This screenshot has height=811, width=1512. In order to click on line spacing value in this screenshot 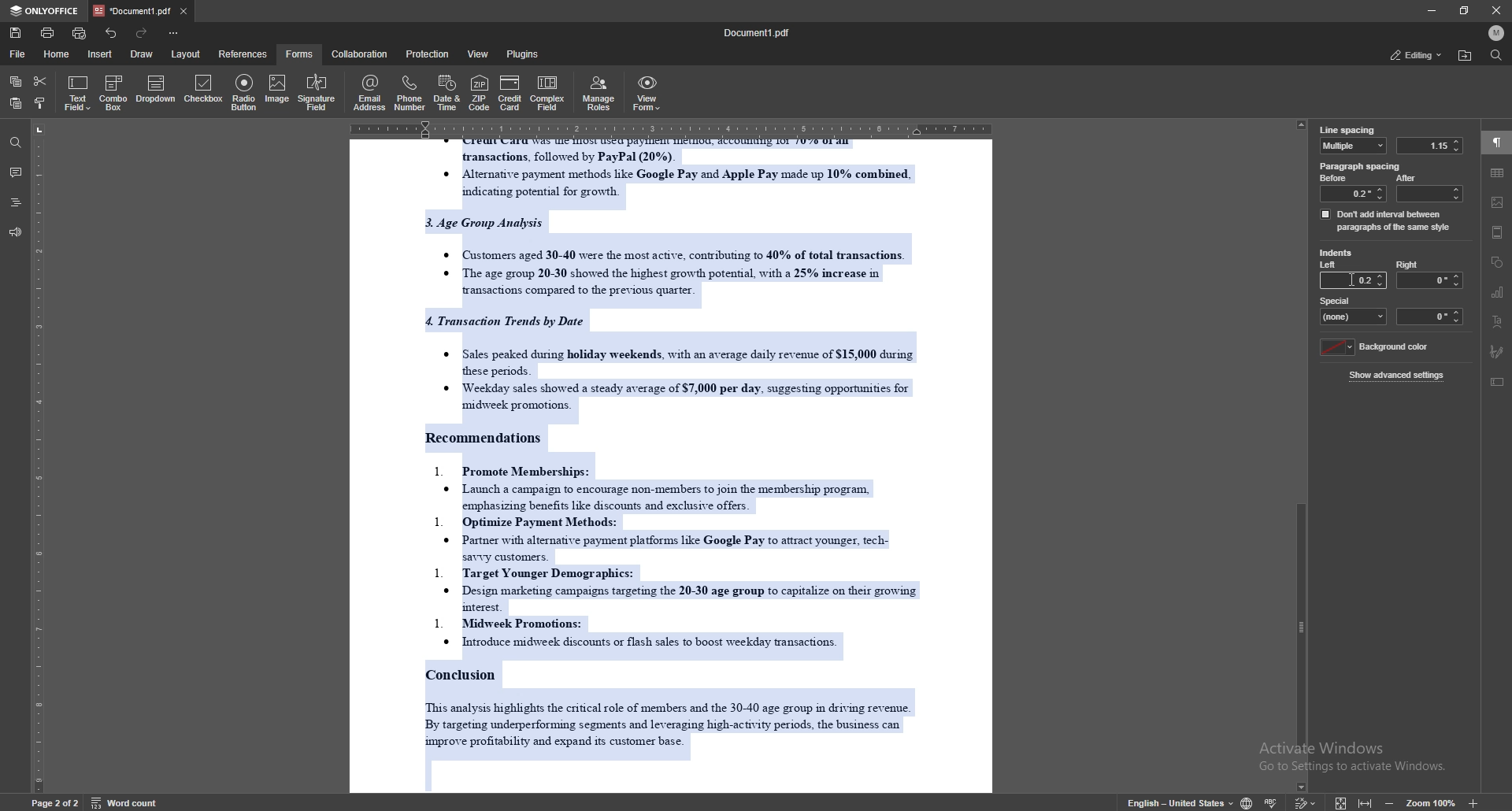, I will do `click(1429, 146)`.